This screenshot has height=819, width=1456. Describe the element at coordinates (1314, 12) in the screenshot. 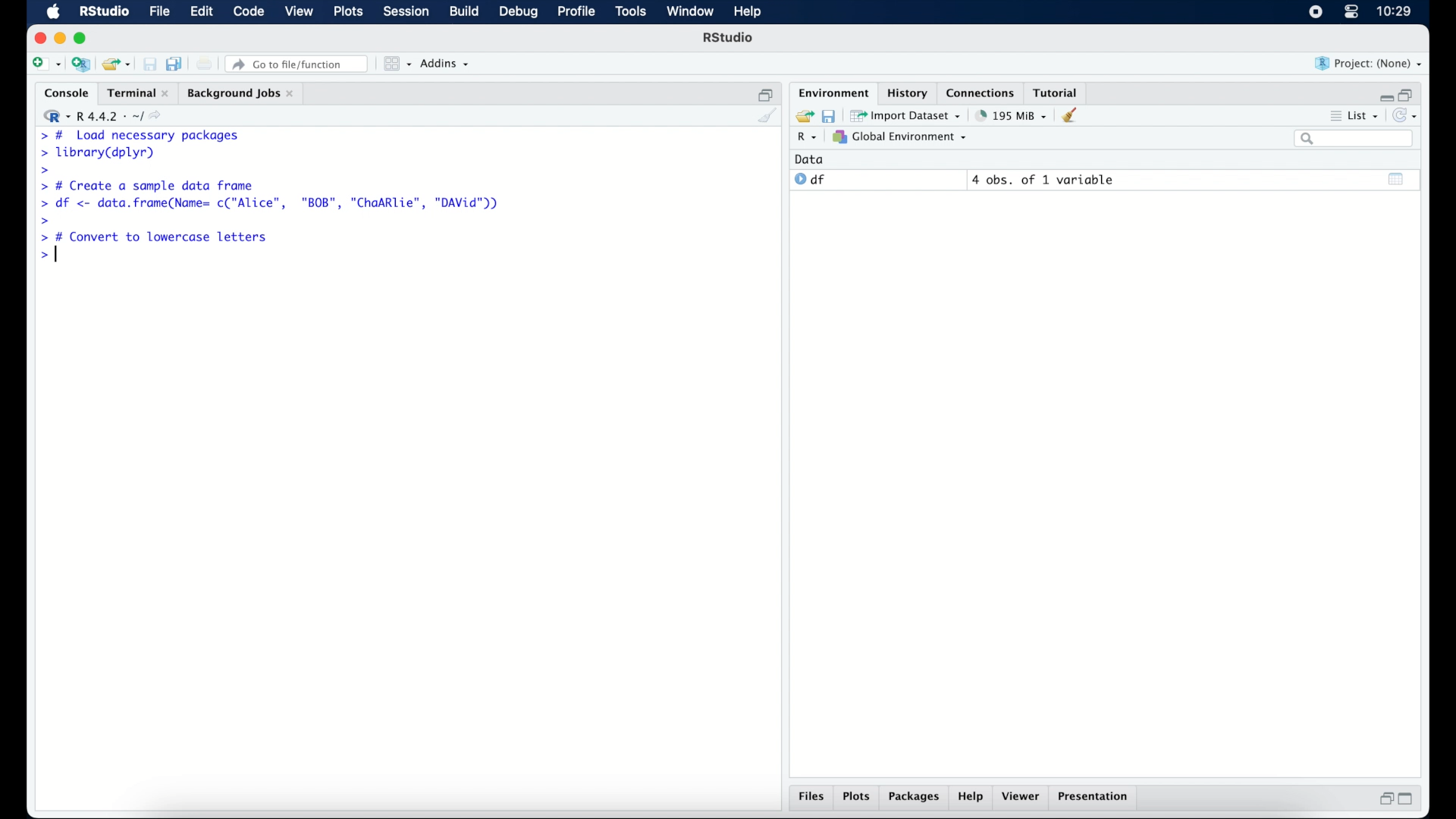

I see `screen recorder icon` at that location.